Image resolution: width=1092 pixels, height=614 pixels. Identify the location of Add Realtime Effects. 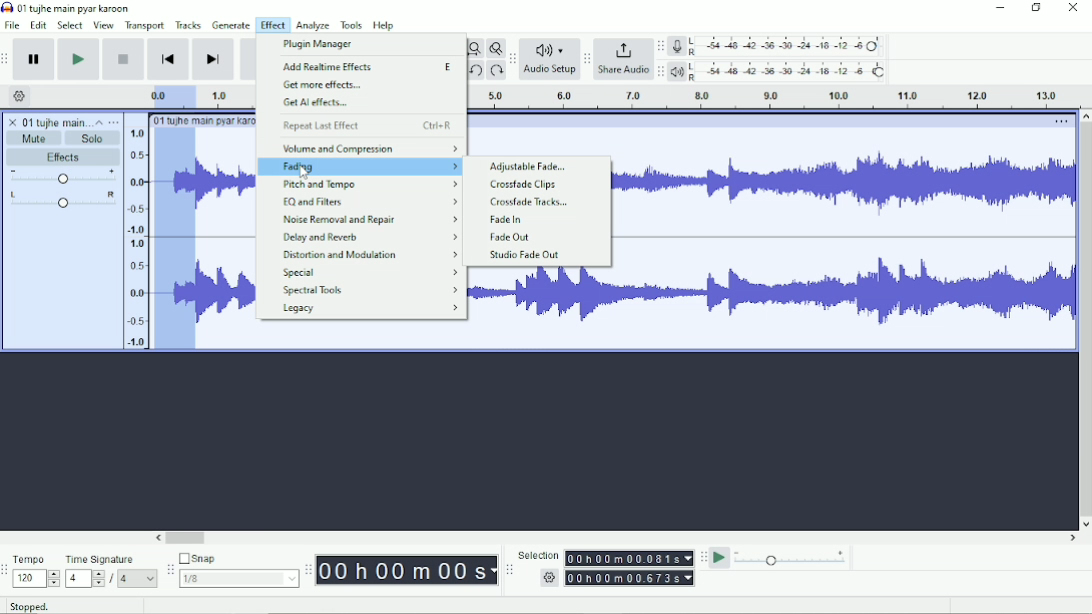
(371, 68).